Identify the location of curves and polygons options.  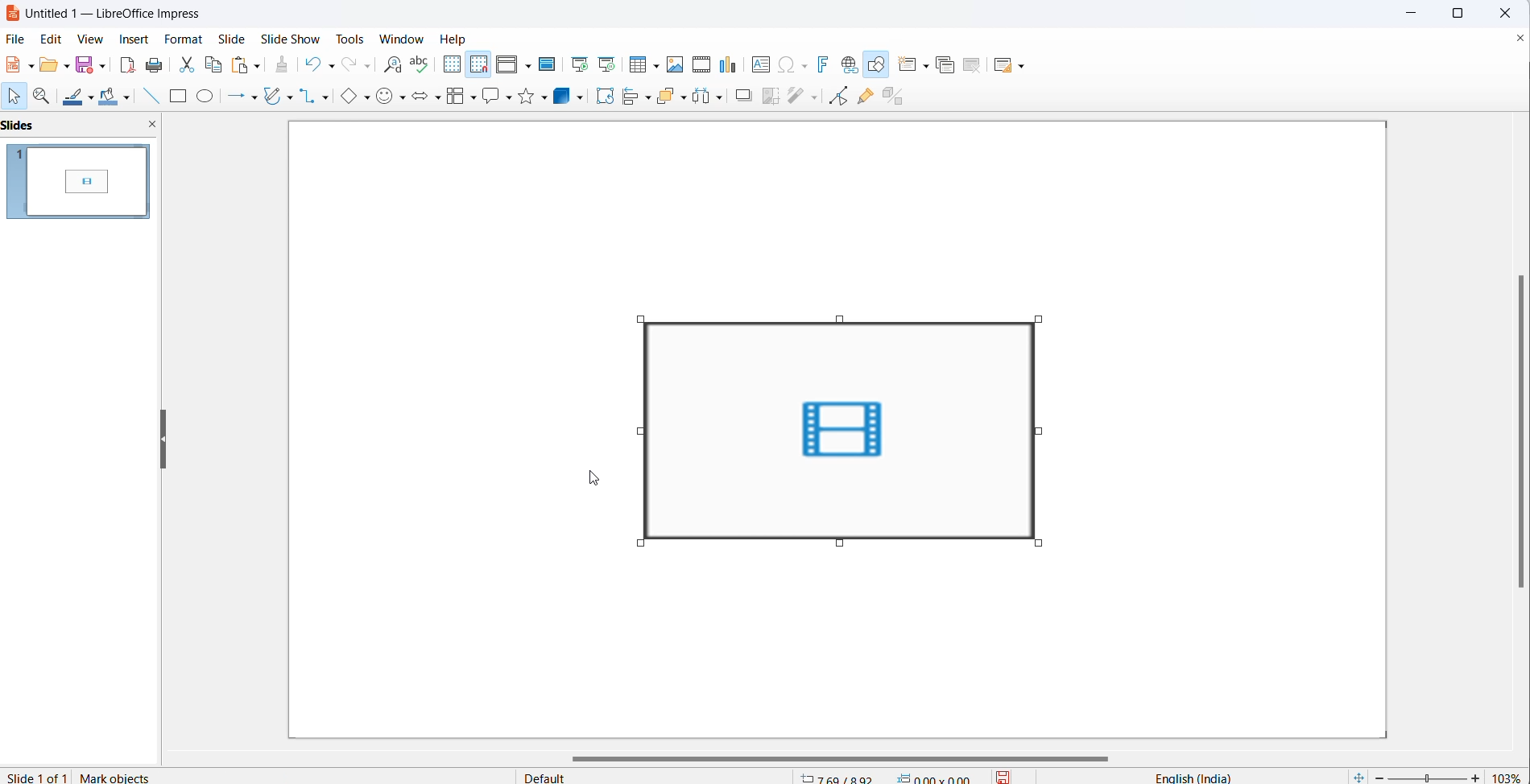
(289, 97).